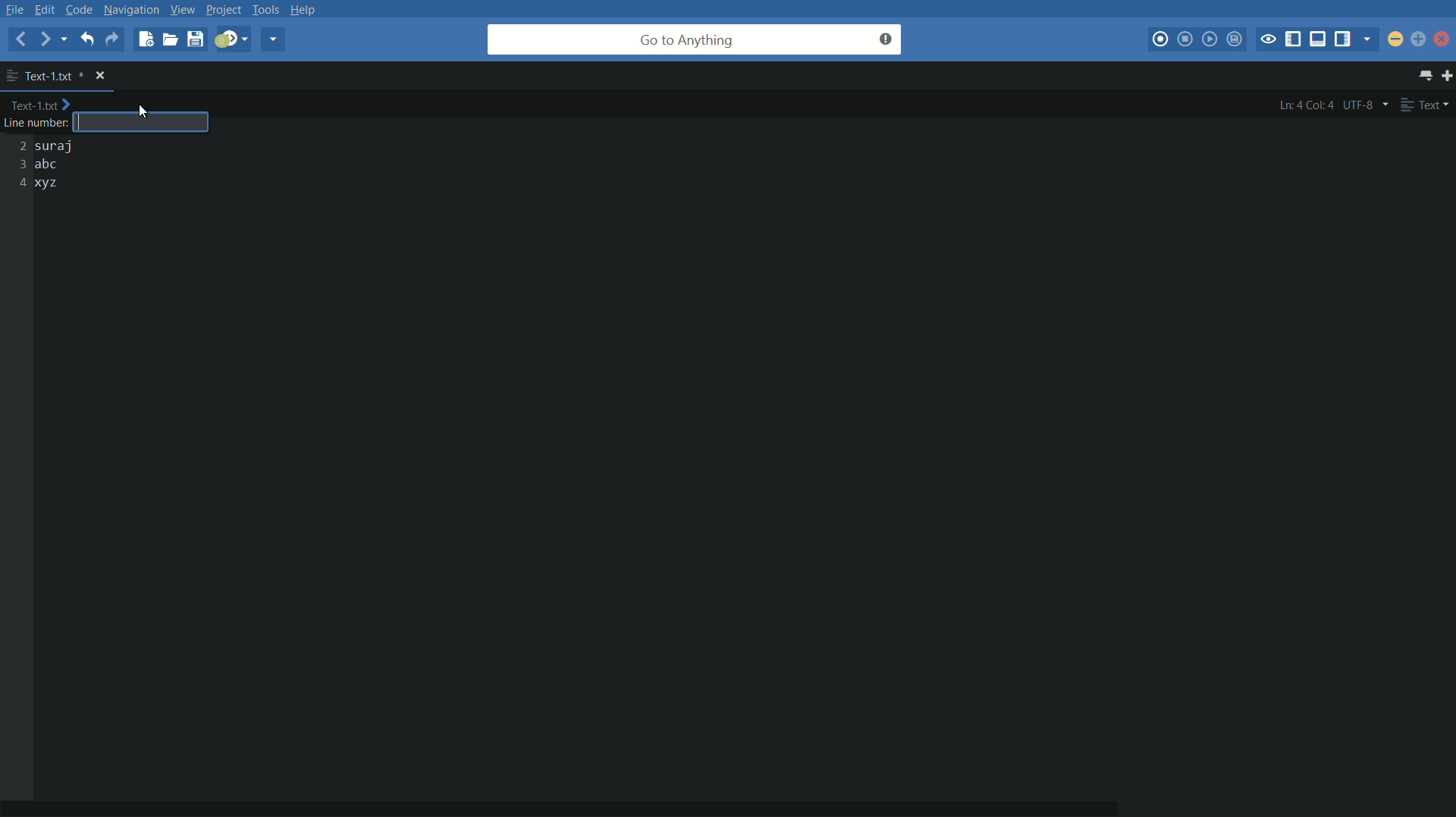  Describe the element at coordinates (267, 9) in the screenshot. I see `tools ` at that location.